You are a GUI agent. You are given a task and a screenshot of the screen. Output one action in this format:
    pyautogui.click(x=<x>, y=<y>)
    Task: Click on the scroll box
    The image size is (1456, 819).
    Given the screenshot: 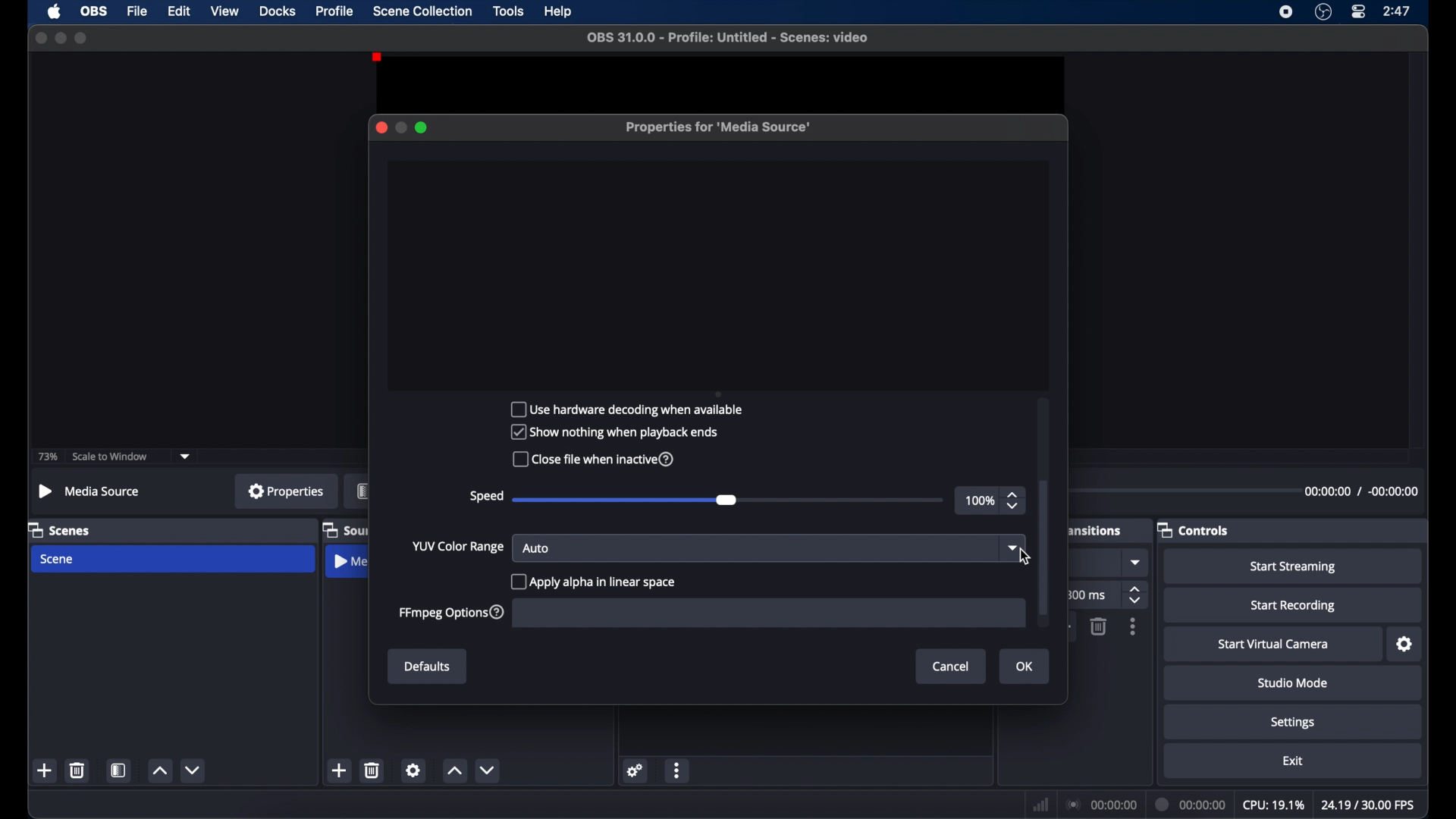 What is the action you would take?
    pyautogui.click(x=1046, y=547)
    